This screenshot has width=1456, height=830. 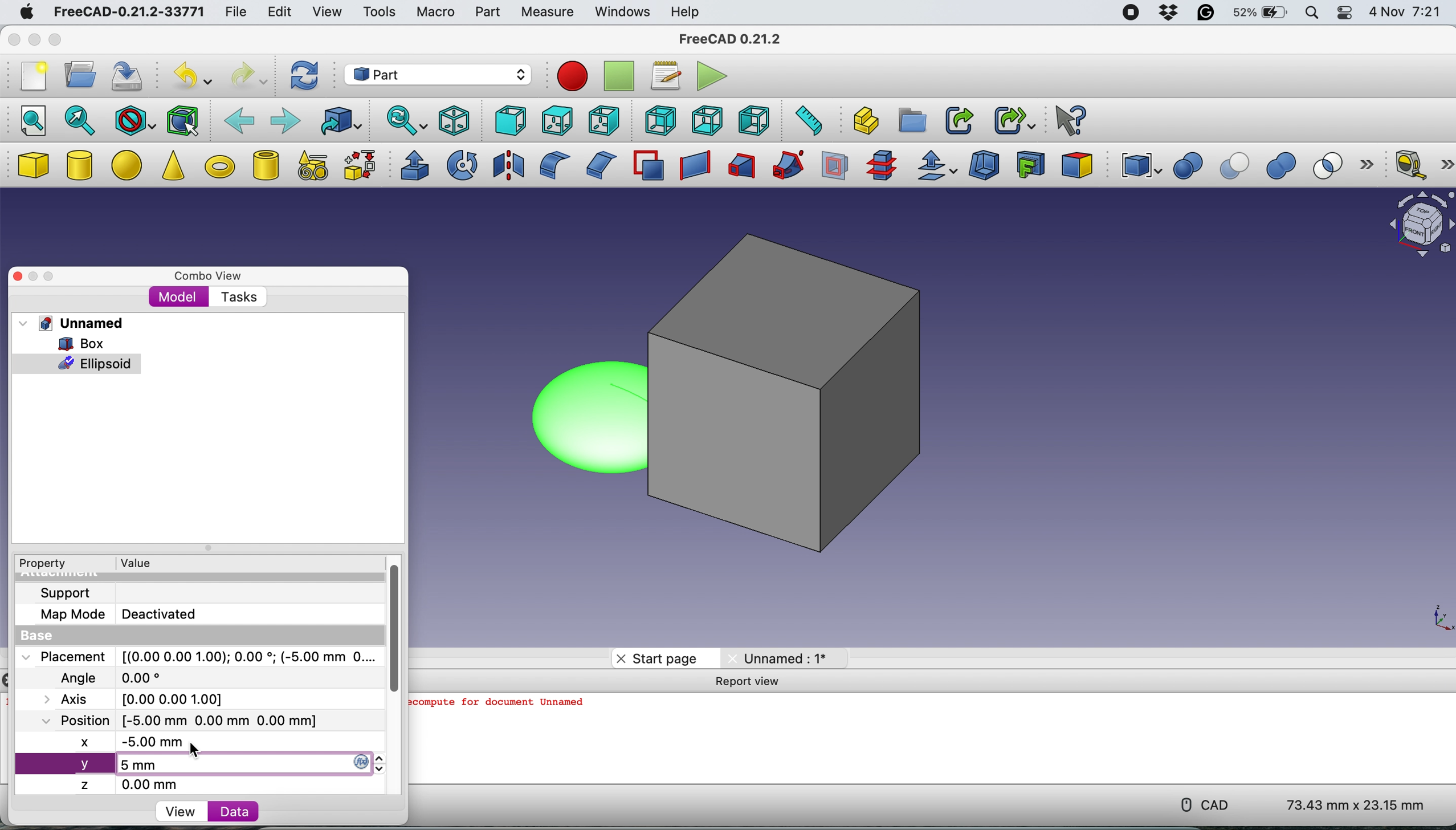 What do you see at coordinates (1345, 13) in the screenshot?
I see `control center` at bounding box center [1345, 13].